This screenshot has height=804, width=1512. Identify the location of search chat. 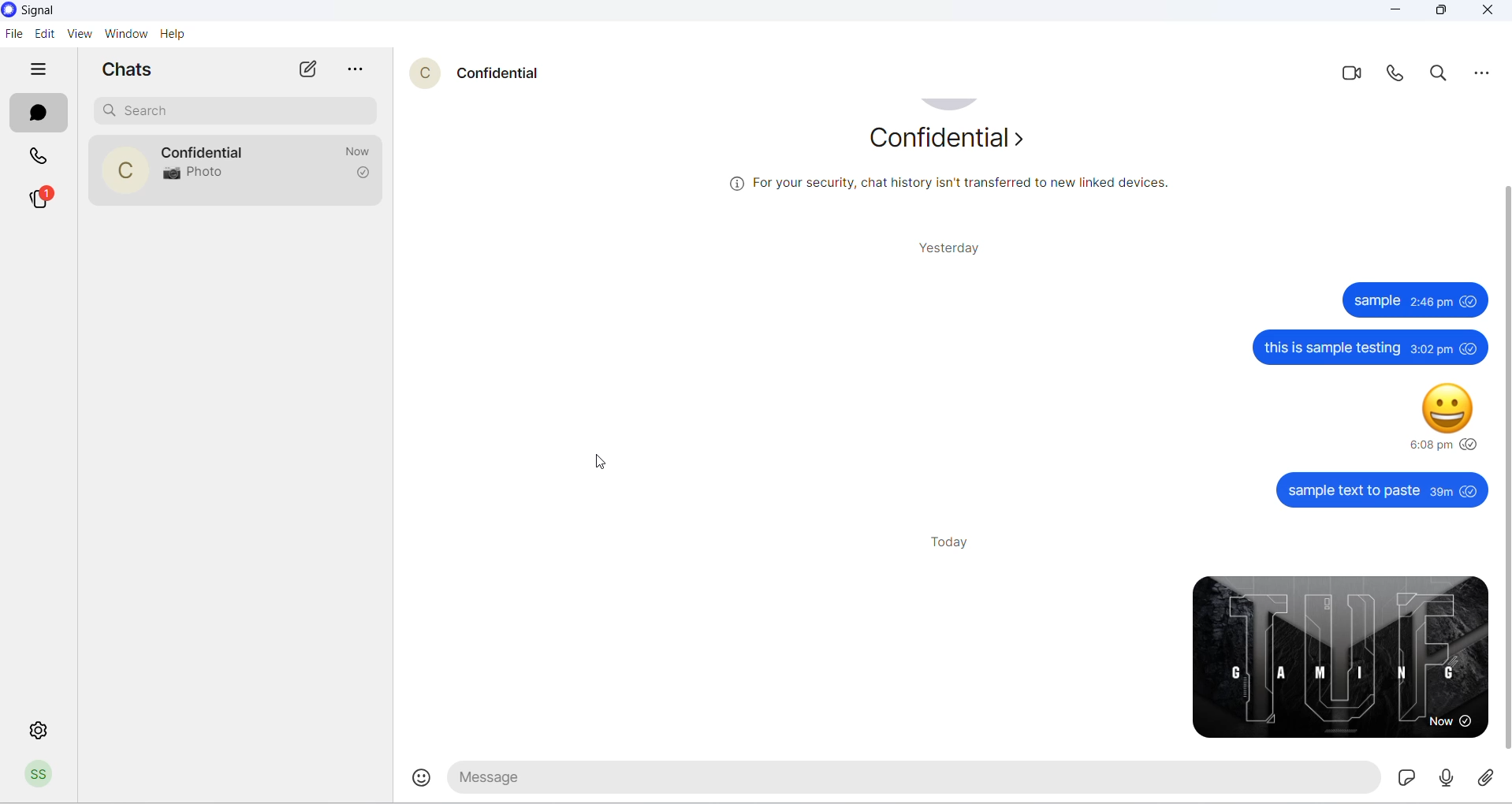
(239, 109).